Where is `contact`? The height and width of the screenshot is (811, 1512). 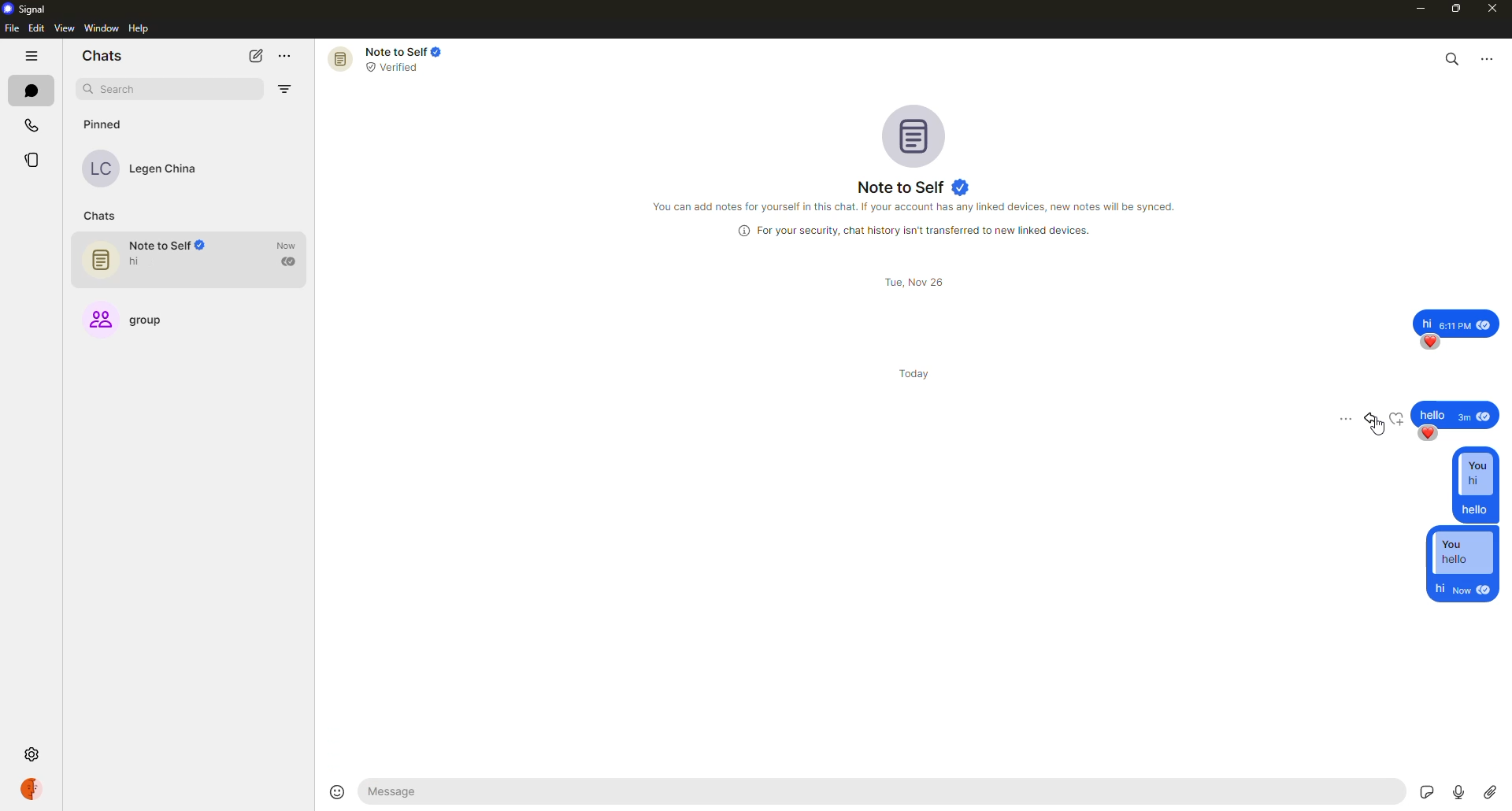
contact is located at coordinates (151, 168).